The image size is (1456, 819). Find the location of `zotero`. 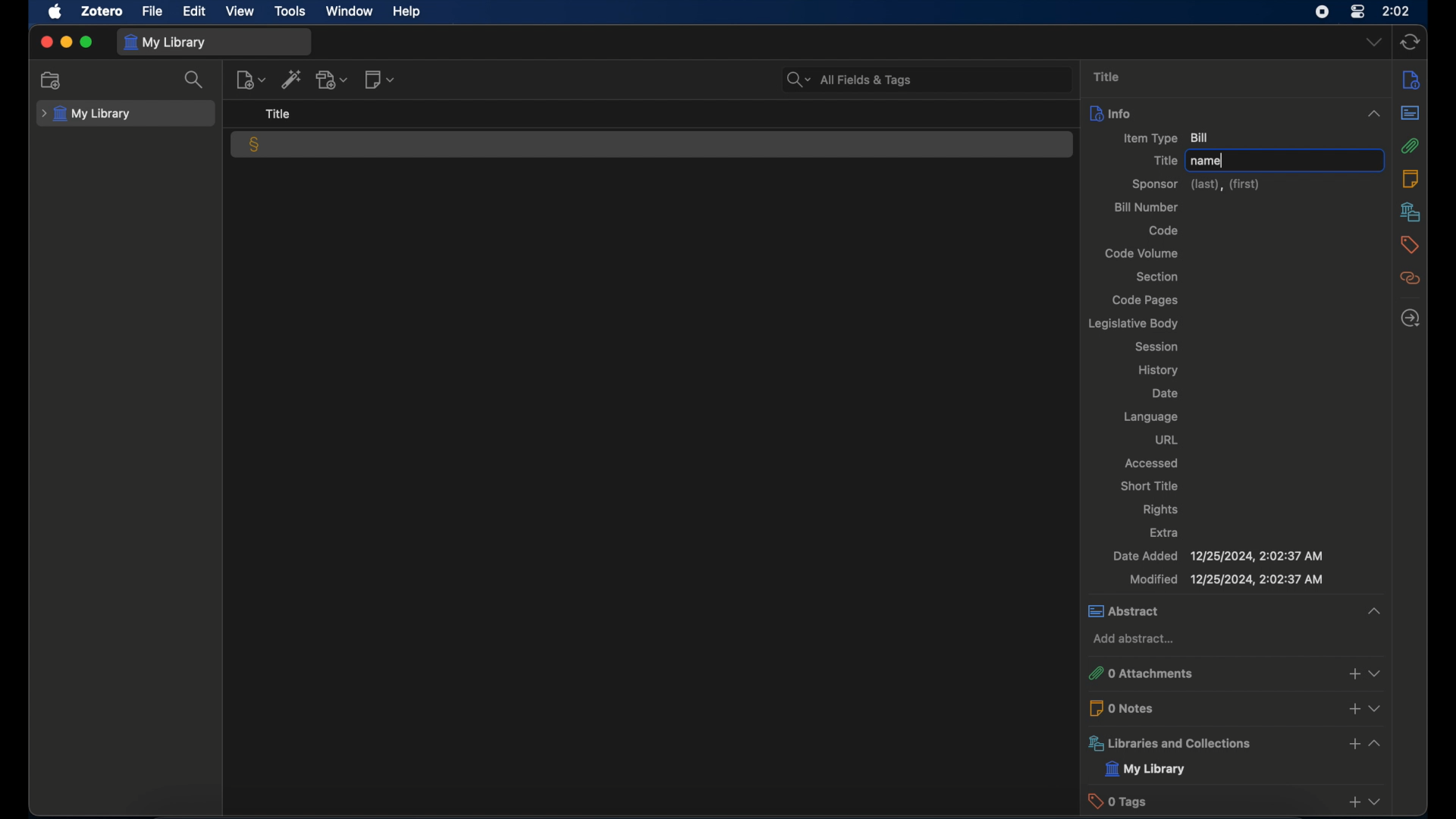

zotero is located at coordinates (100, 12).